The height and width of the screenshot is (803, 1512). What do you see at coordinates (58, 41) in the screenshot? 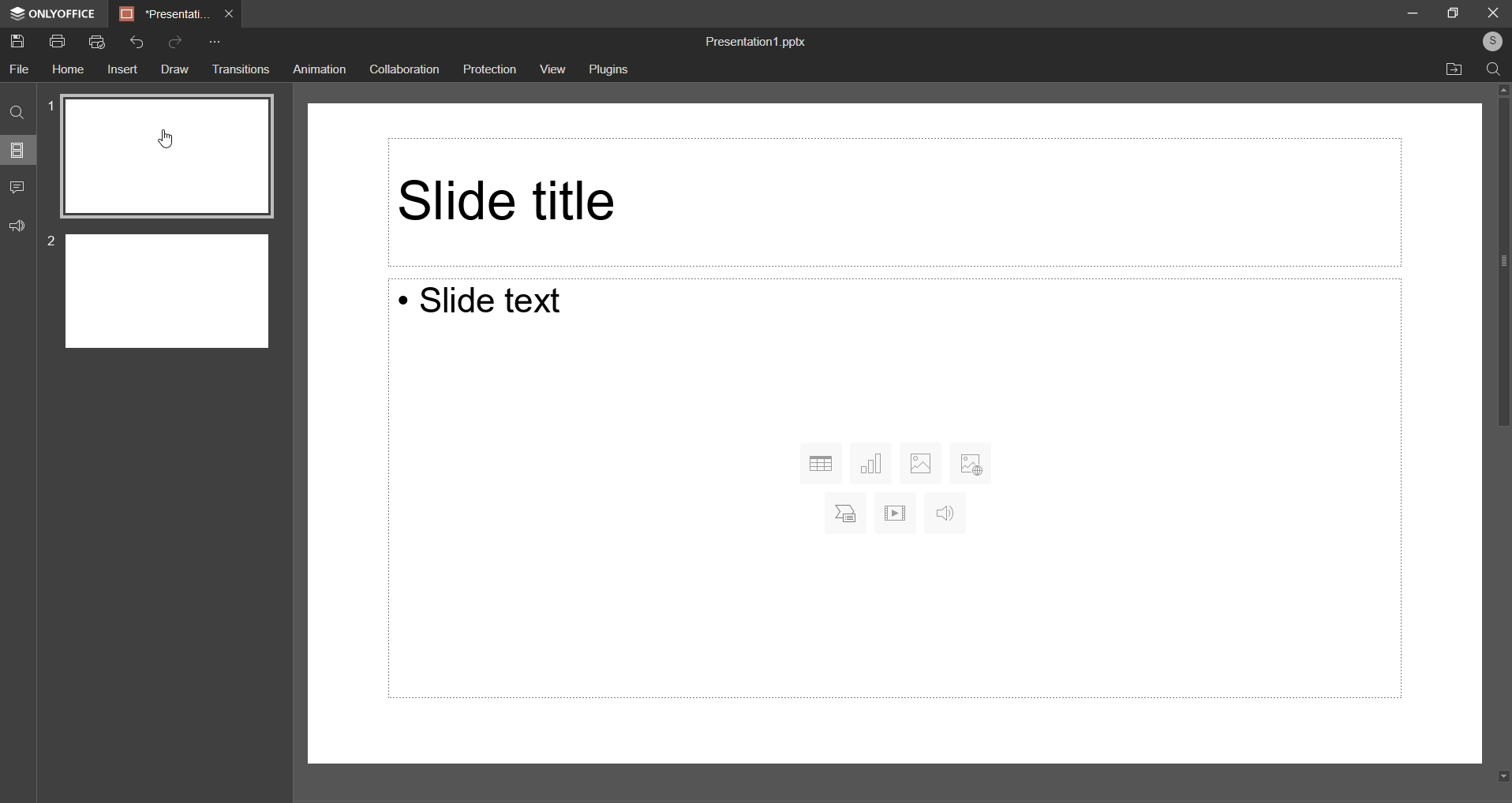
I see `Print` at bounding box center [58, 41].